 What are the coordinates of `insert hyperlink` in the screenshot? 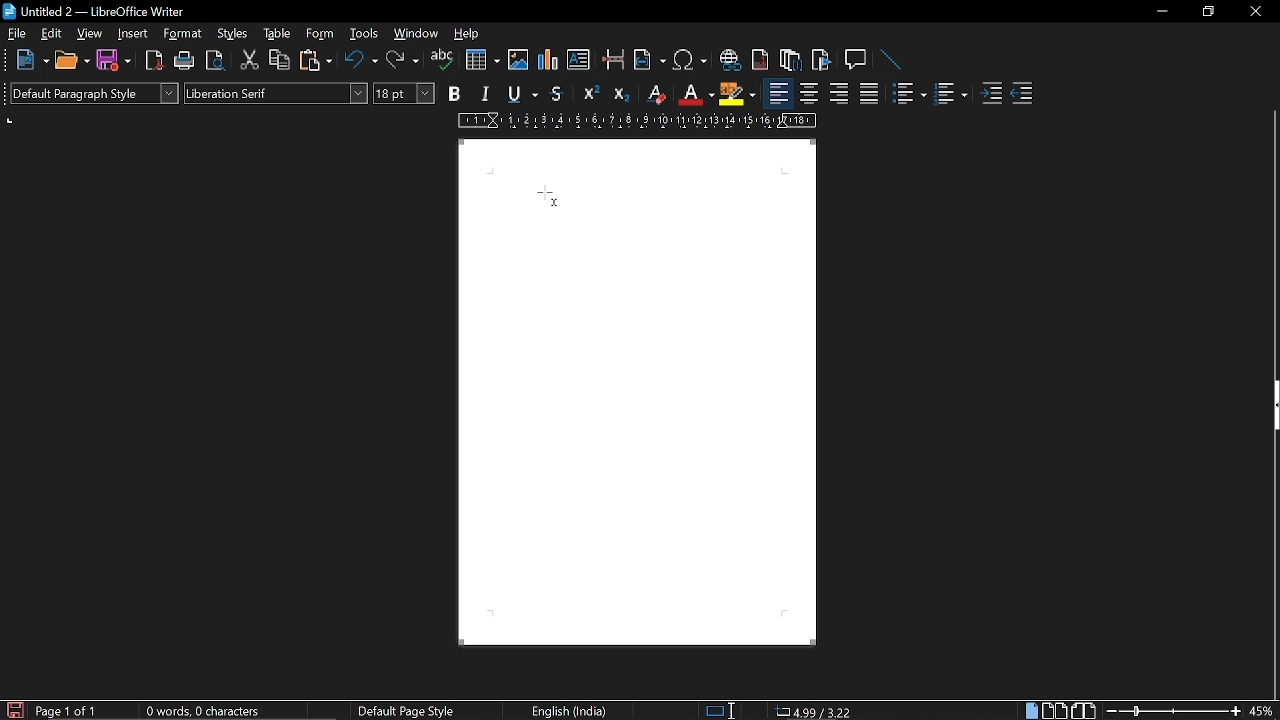 It's located at (730, 62).